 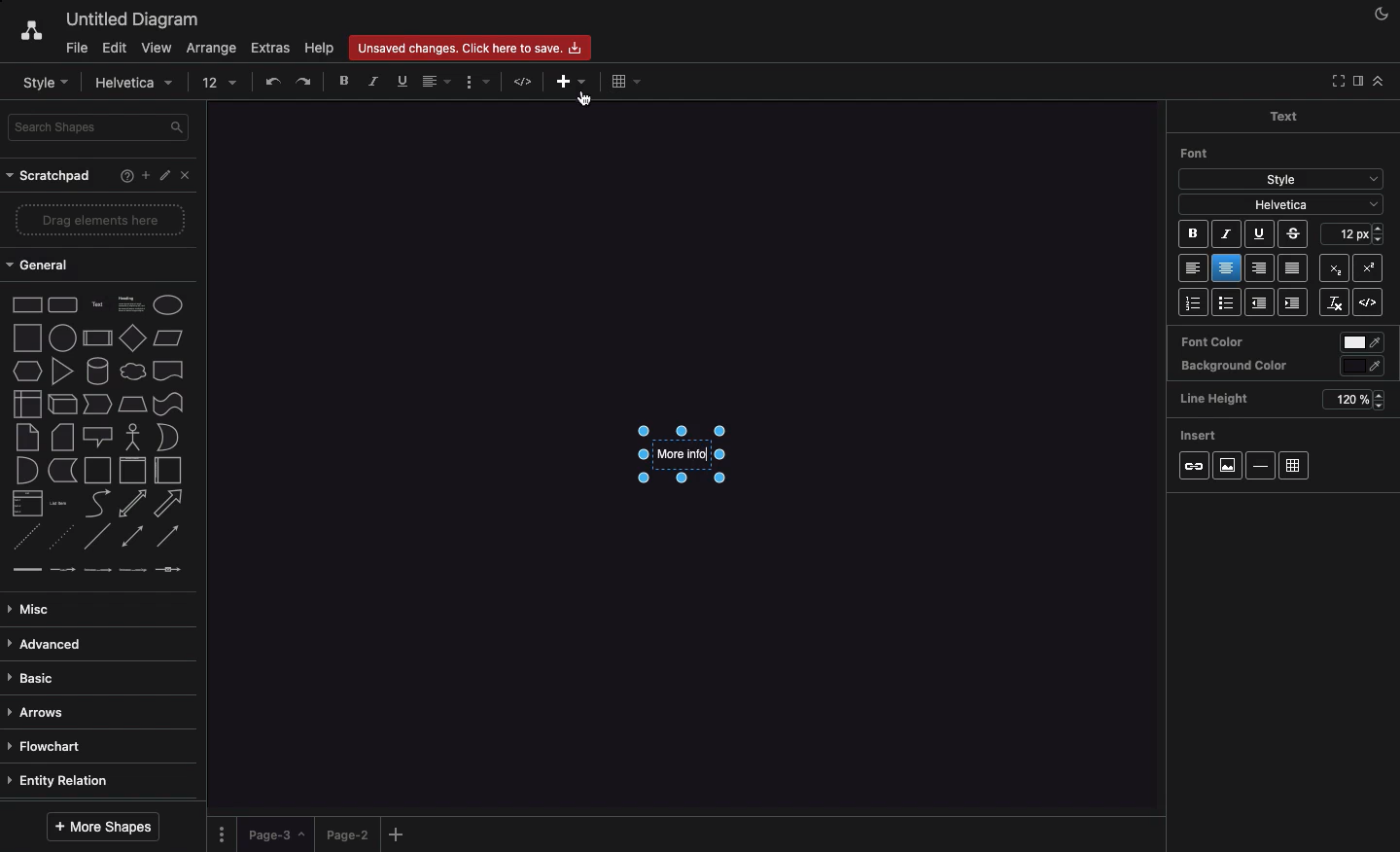 What do you see at coordinates (28, 372) in the screenshot?
I see `hexagon` at bounding box center [28, 372].